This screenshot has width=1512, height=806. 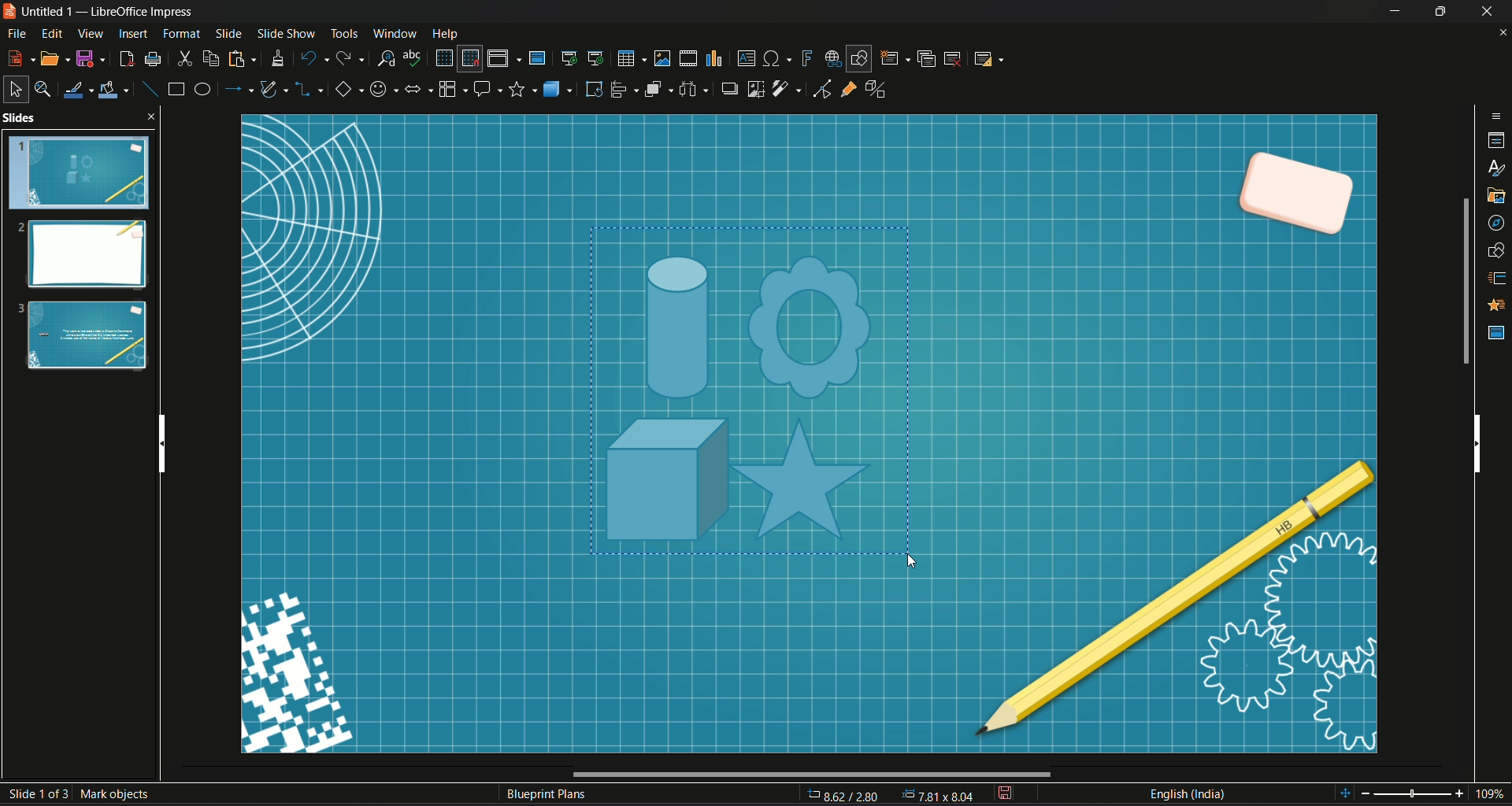 I want to click on clone formatting, so click(x=277, y=58).